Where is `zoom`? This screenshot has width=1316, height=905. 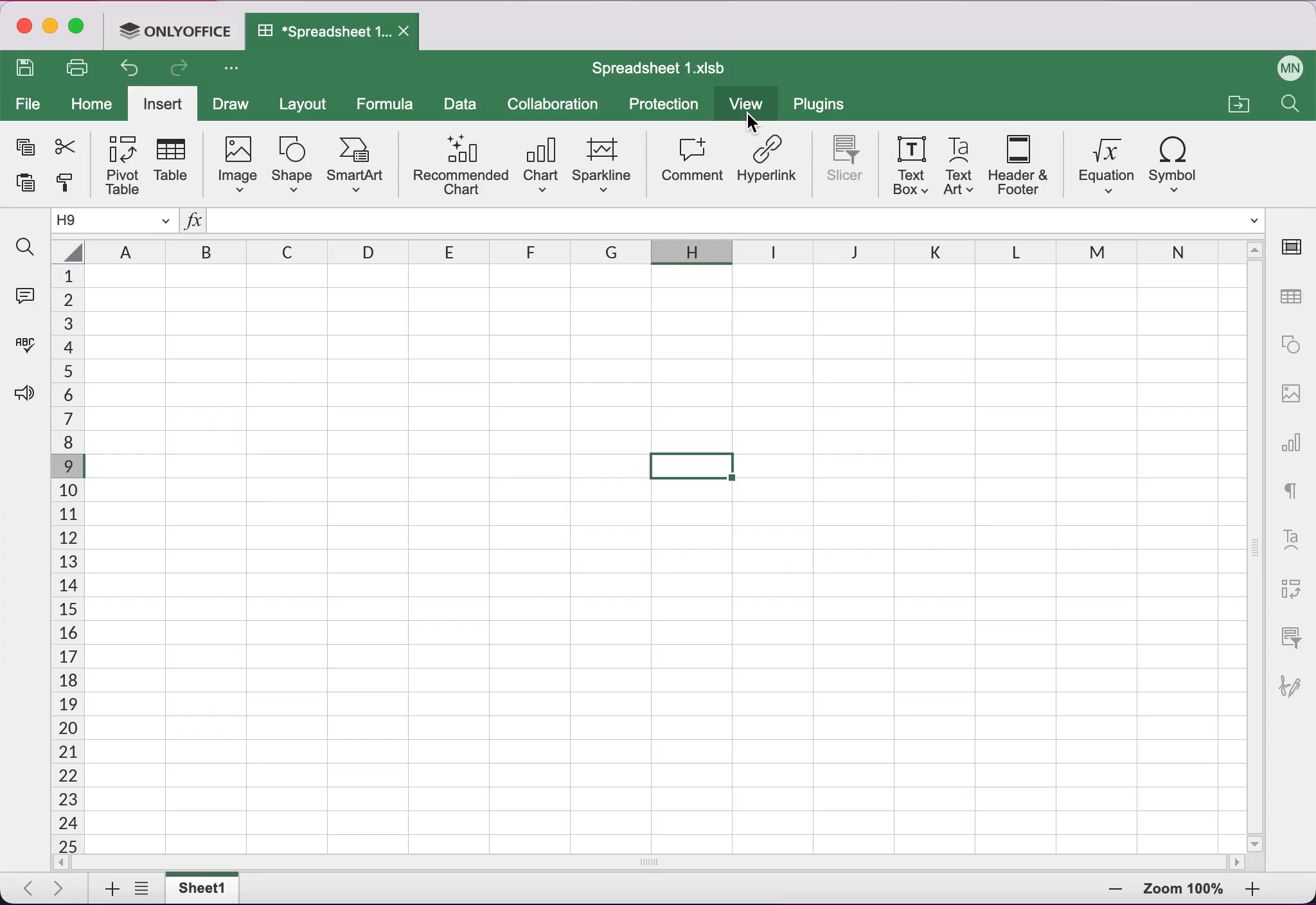
zoom is located at coordinates (1183, 889).